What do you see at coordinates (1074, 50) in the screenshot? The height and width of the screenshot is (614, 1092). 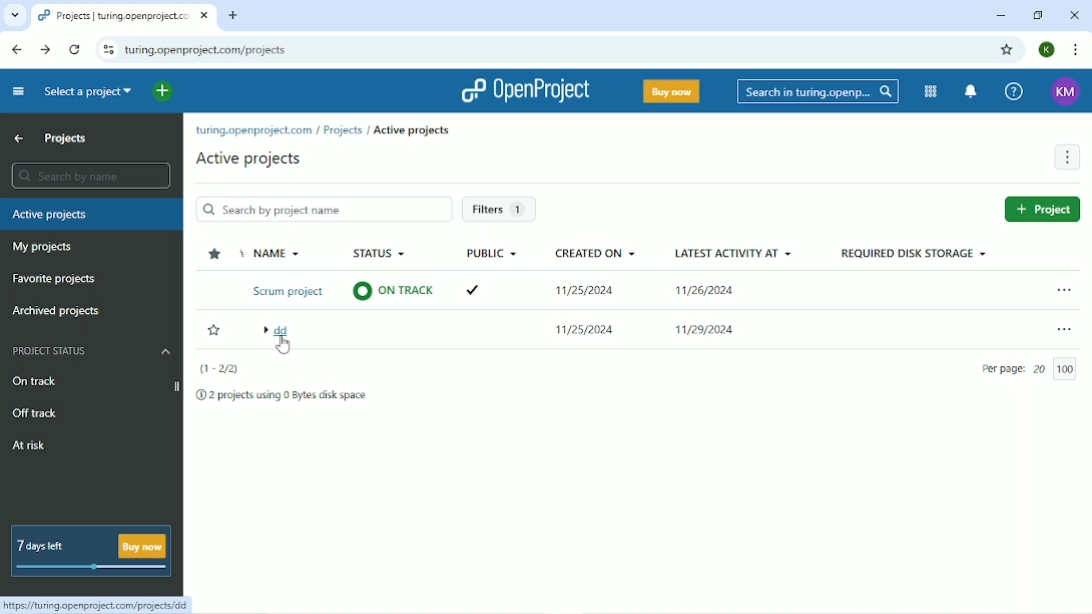 I see `Customize and control google chrome` at bounding box center [1074, 50].